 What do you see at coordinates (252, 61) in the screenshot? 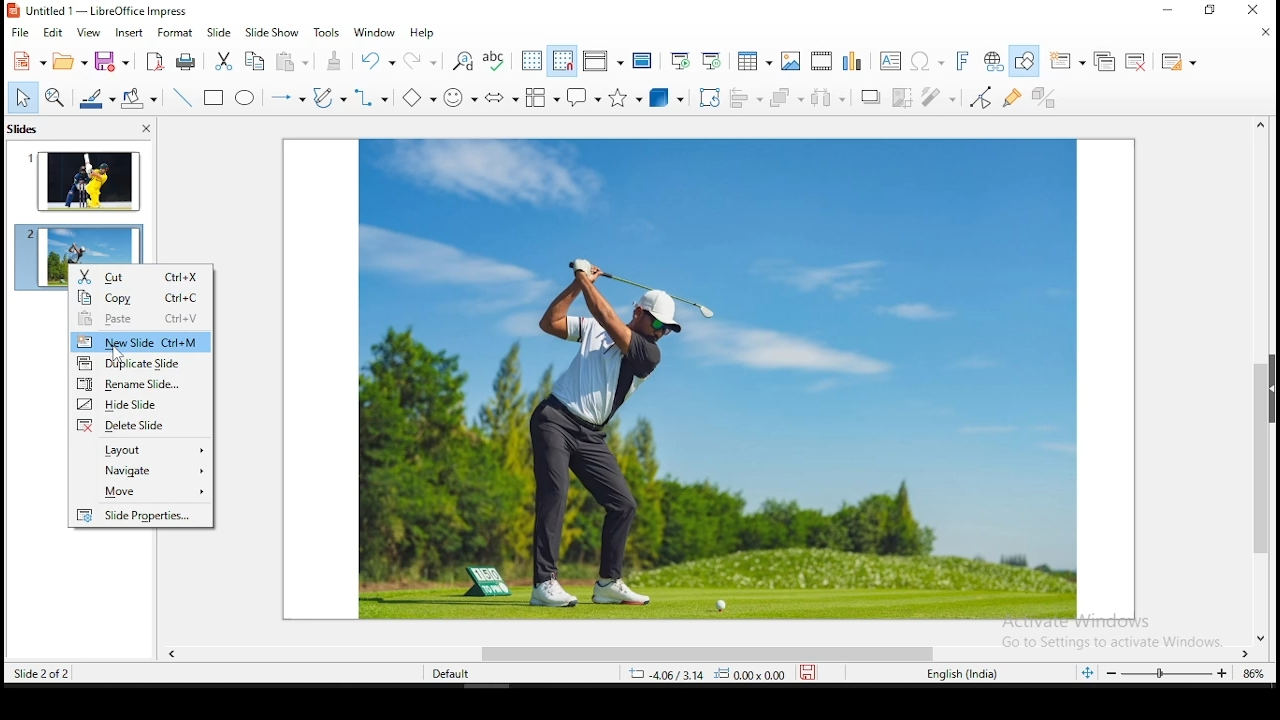
I see `copy` at bounding box center [252, 61].